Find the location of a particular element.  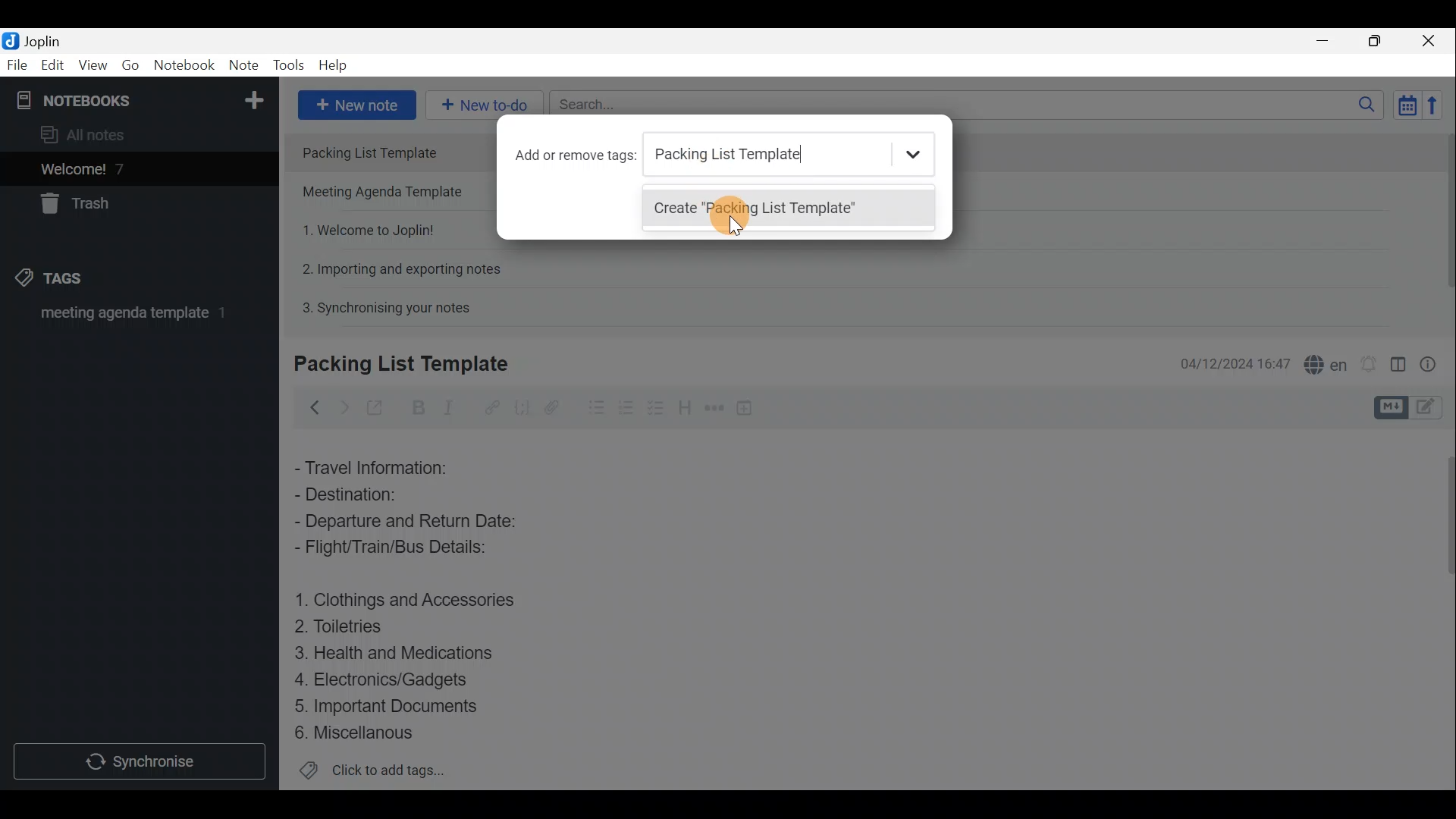

Electronics/Gadgets is located at coordinates (388, 679).